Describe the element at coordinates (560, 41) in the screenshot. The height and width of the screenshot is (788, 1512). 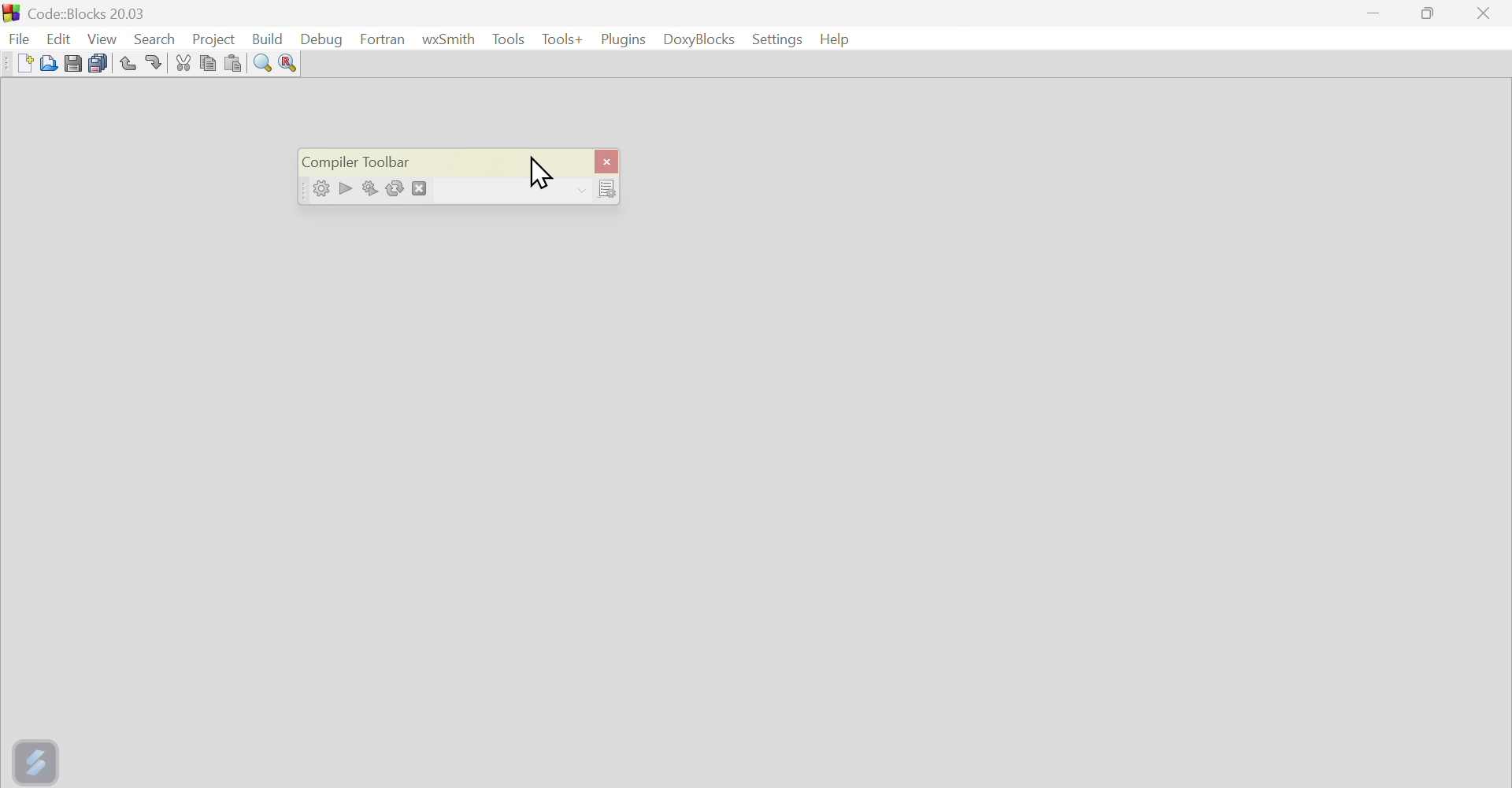
I see `Tools+` at that location.